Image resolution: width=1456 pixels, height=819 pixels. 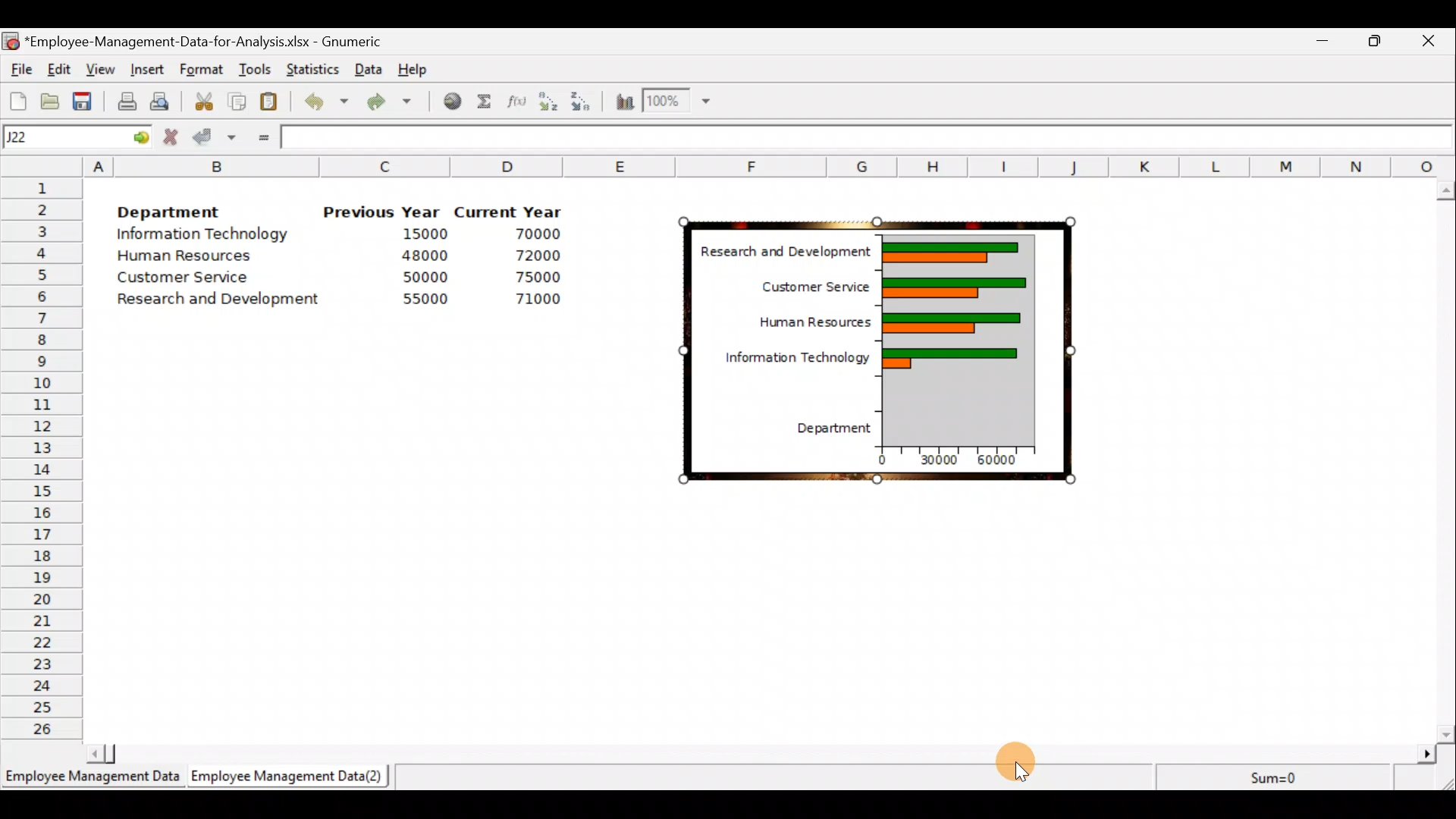 I want to click on Undo last action, so click(x=328, y=105).